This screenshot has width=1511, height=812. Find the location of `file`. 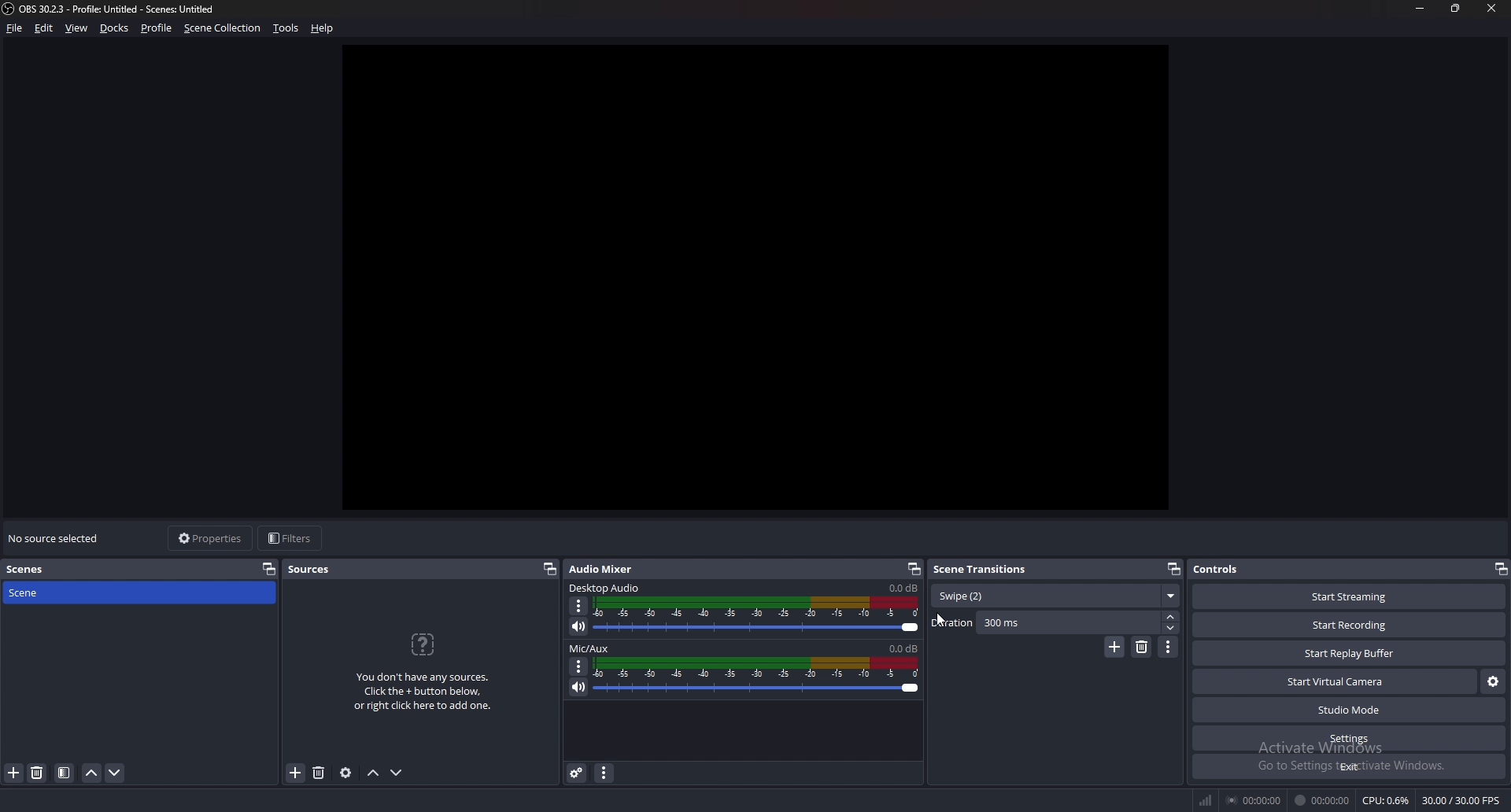

file is located at coordinates (15, 28).